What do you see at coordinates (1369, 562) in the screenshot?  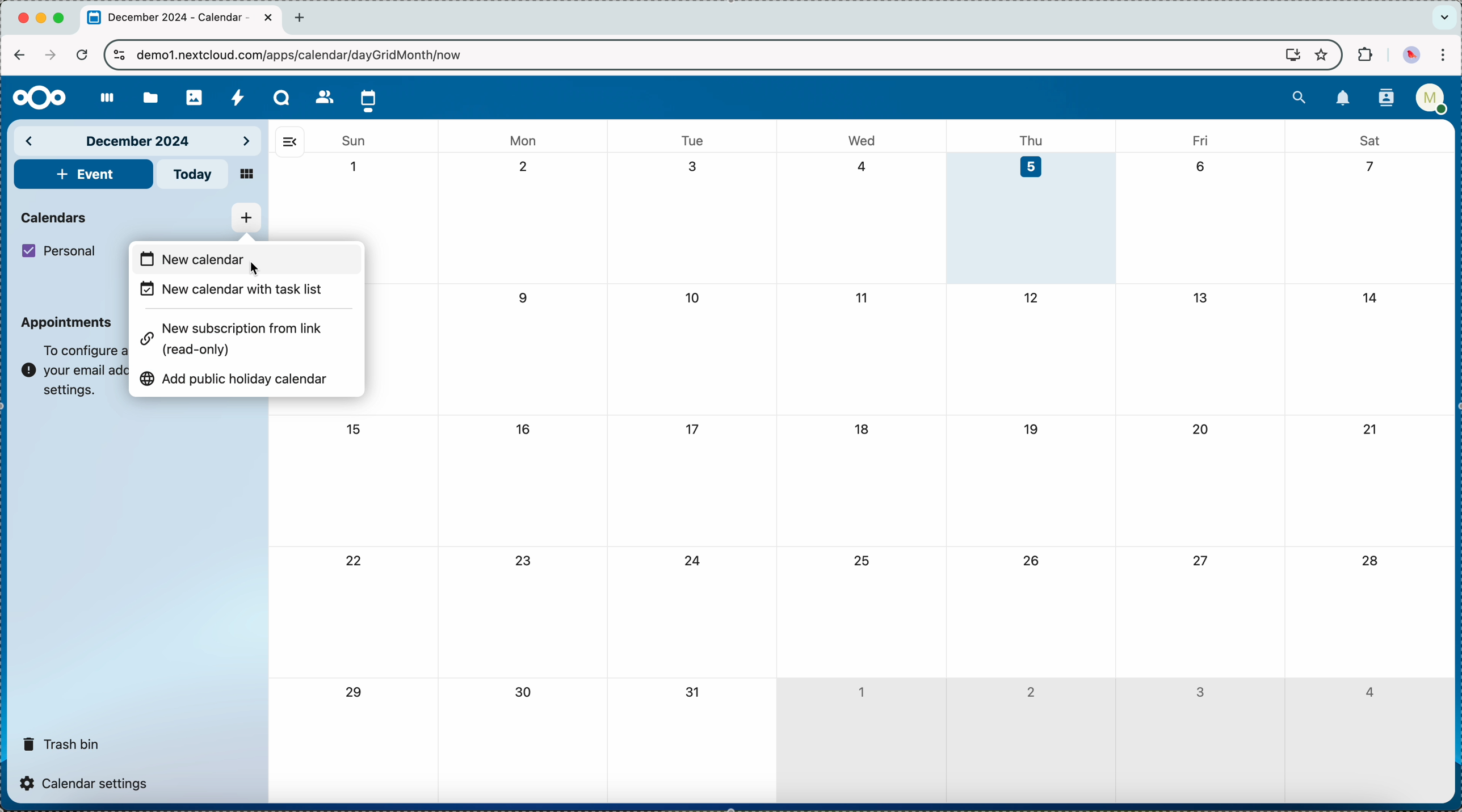 I see `28` at bounding box center [1369, 562].